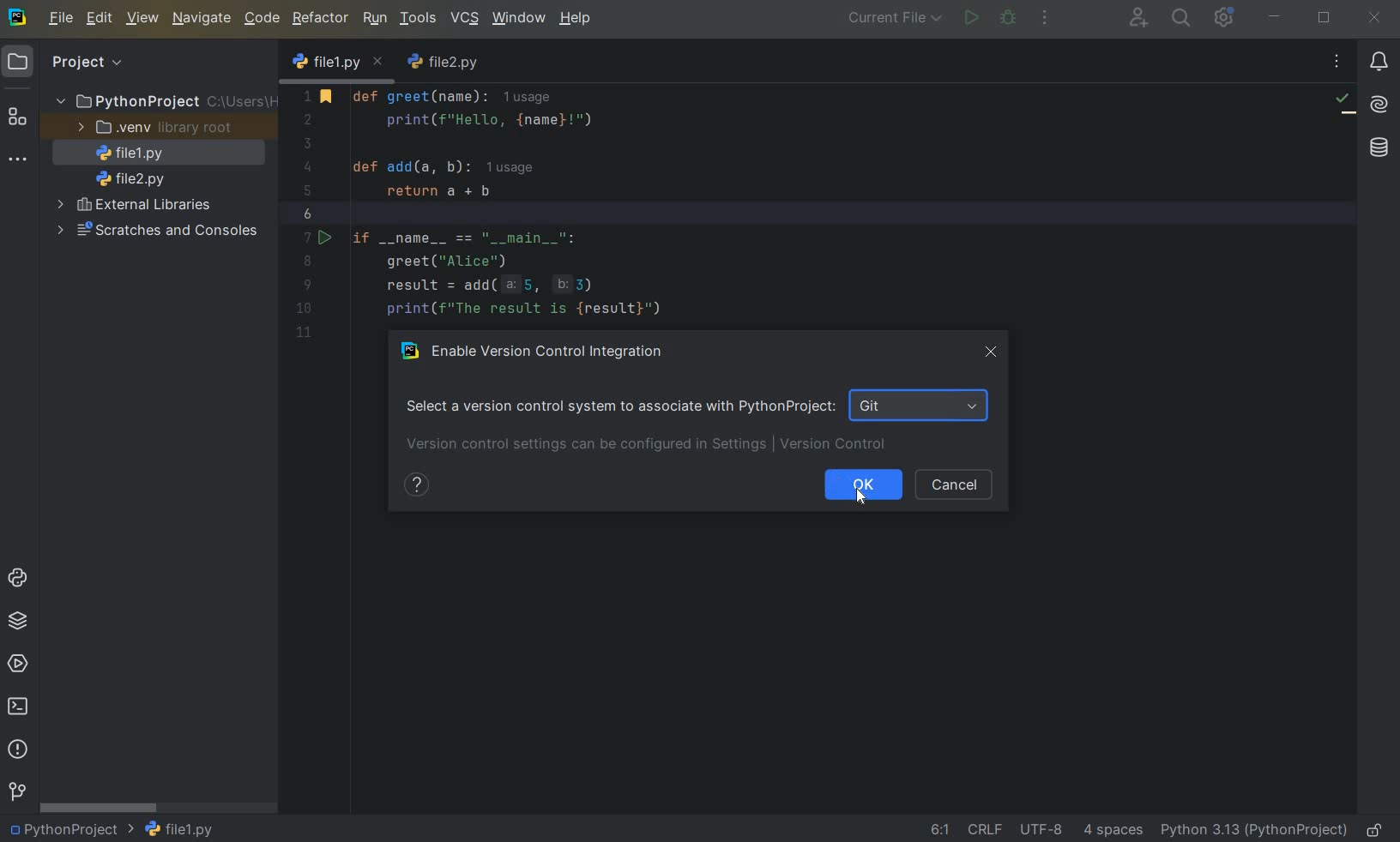 The width and height of the screenshot is (1400, 842). Describe the element at coordinates (18, 749) in the screenshot. I see `problems` at that location.